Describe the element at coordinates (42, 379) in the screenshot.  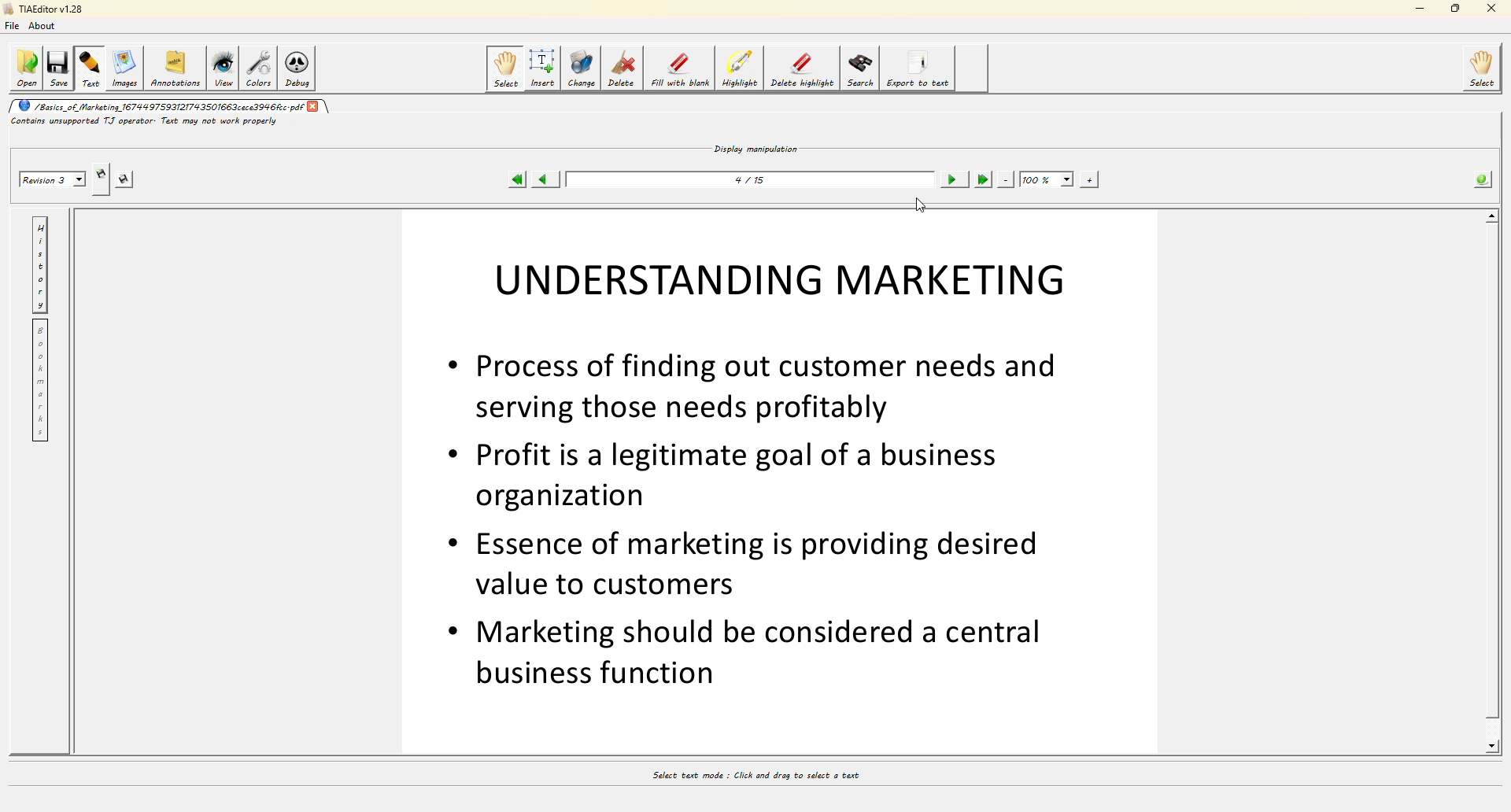
I see `bookmarks` at that location.